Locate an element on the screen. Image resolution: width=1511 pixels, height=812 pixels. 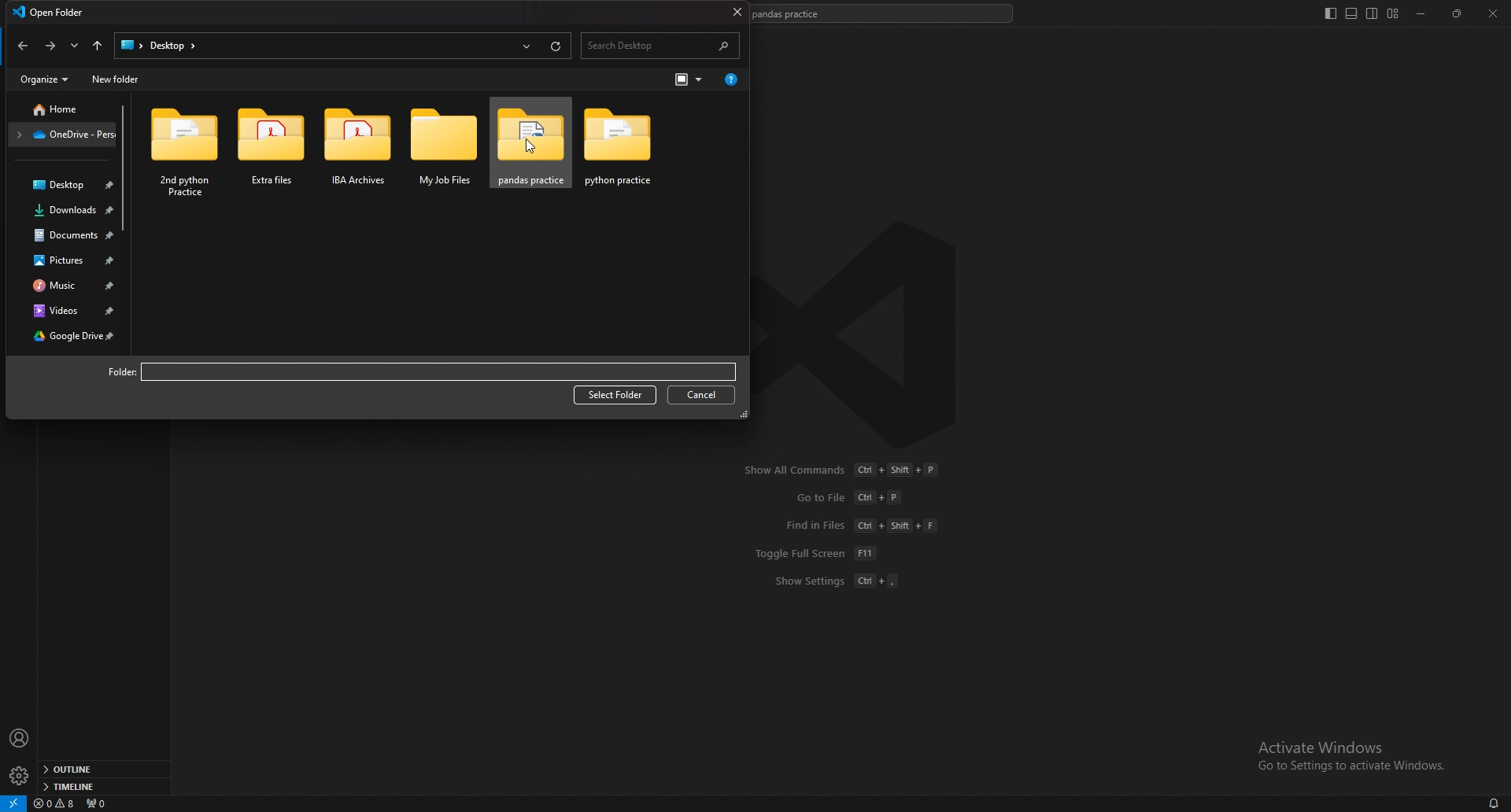
upto locations is located at coordinates (99, 44).